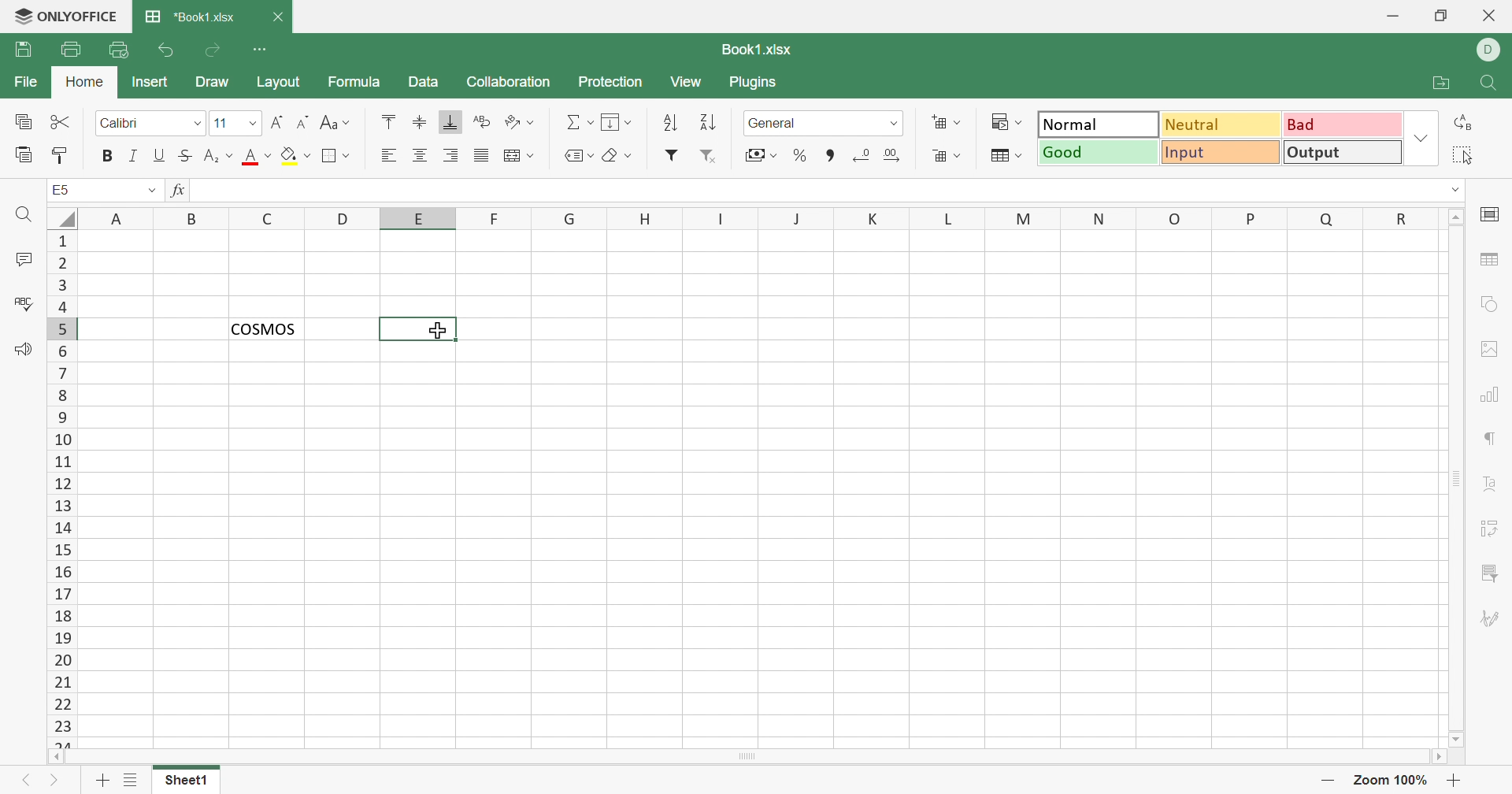  Describe the element at coordinates (1491, 618) in the screenshot. I see `Signature settings` at that location.